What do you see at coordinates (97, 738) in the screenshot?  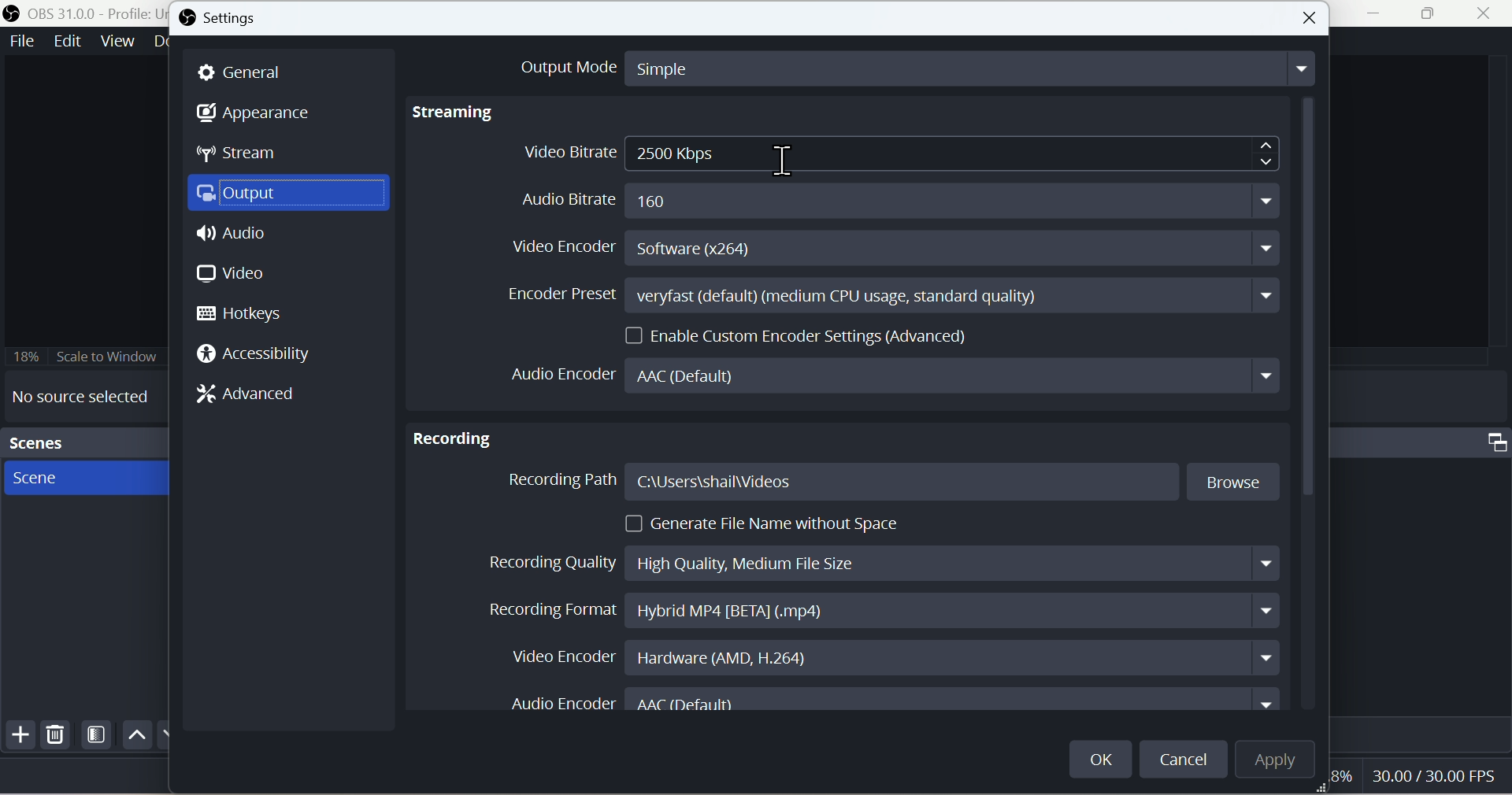 I see `Filter` at bounding box center [97, 738].